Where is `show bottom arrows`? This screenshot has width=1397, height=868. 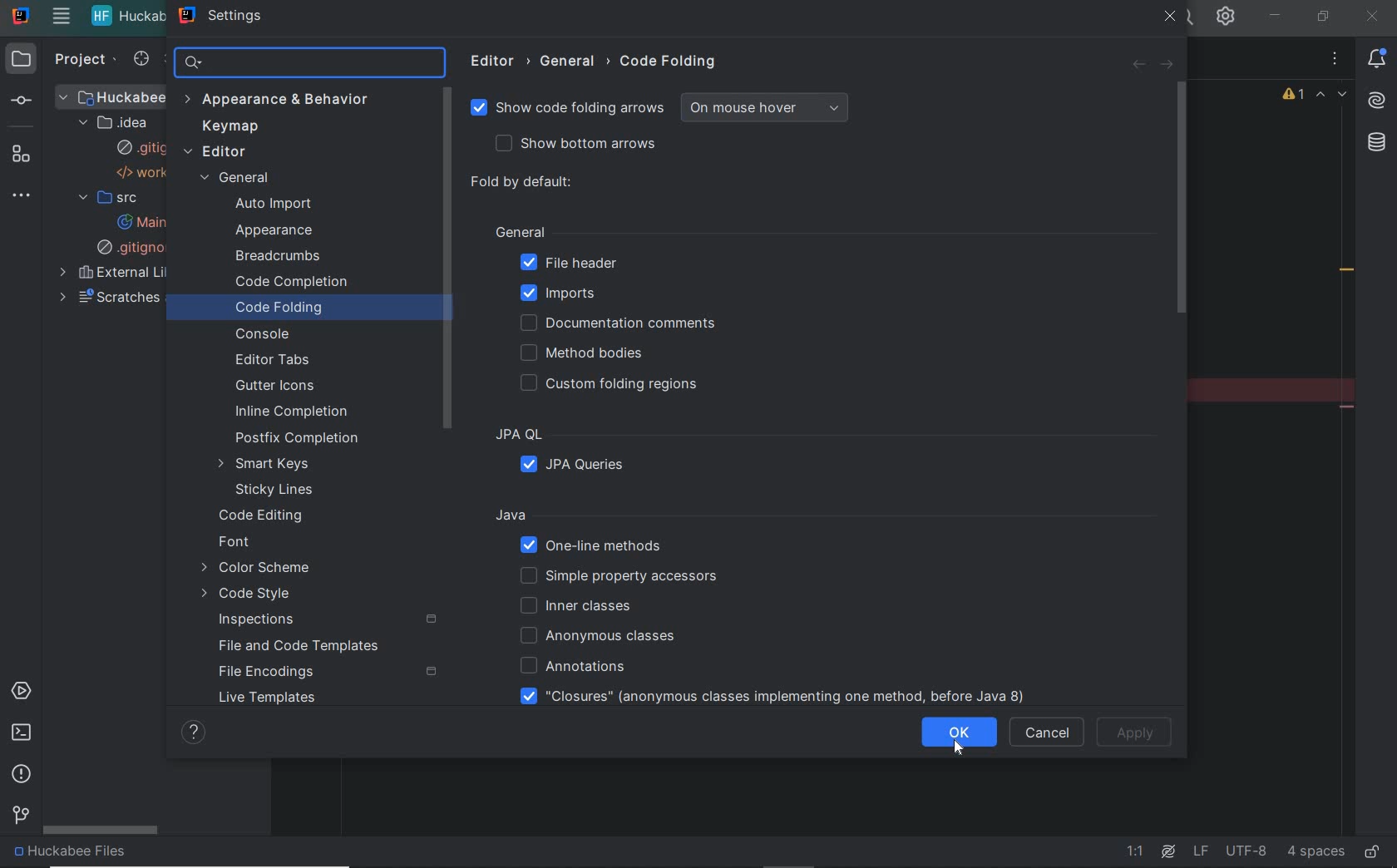 show bottom arrows is located at coordinates (570, 142).